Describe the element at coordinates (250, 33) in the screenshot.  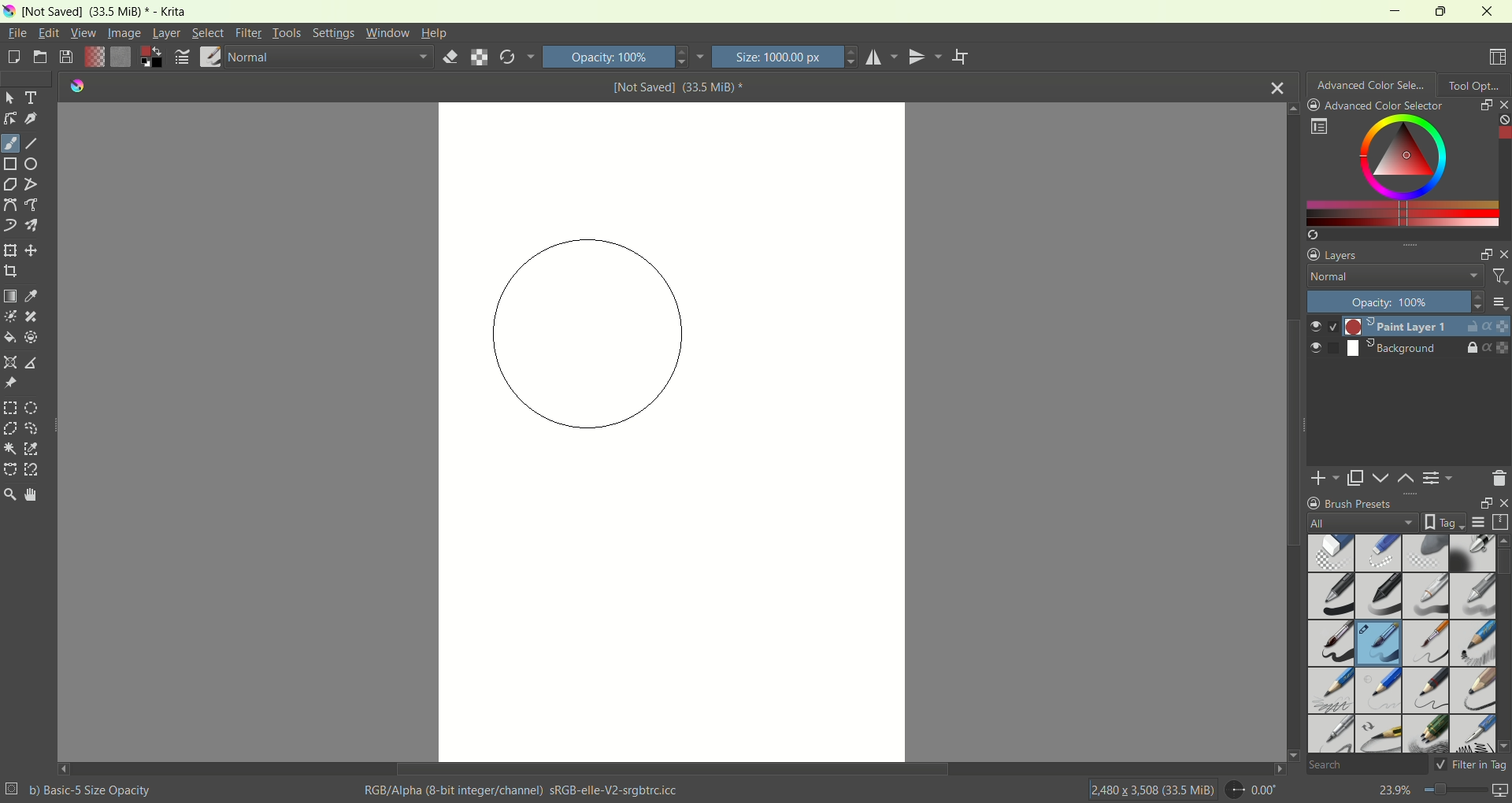
I see `filter` at that location.